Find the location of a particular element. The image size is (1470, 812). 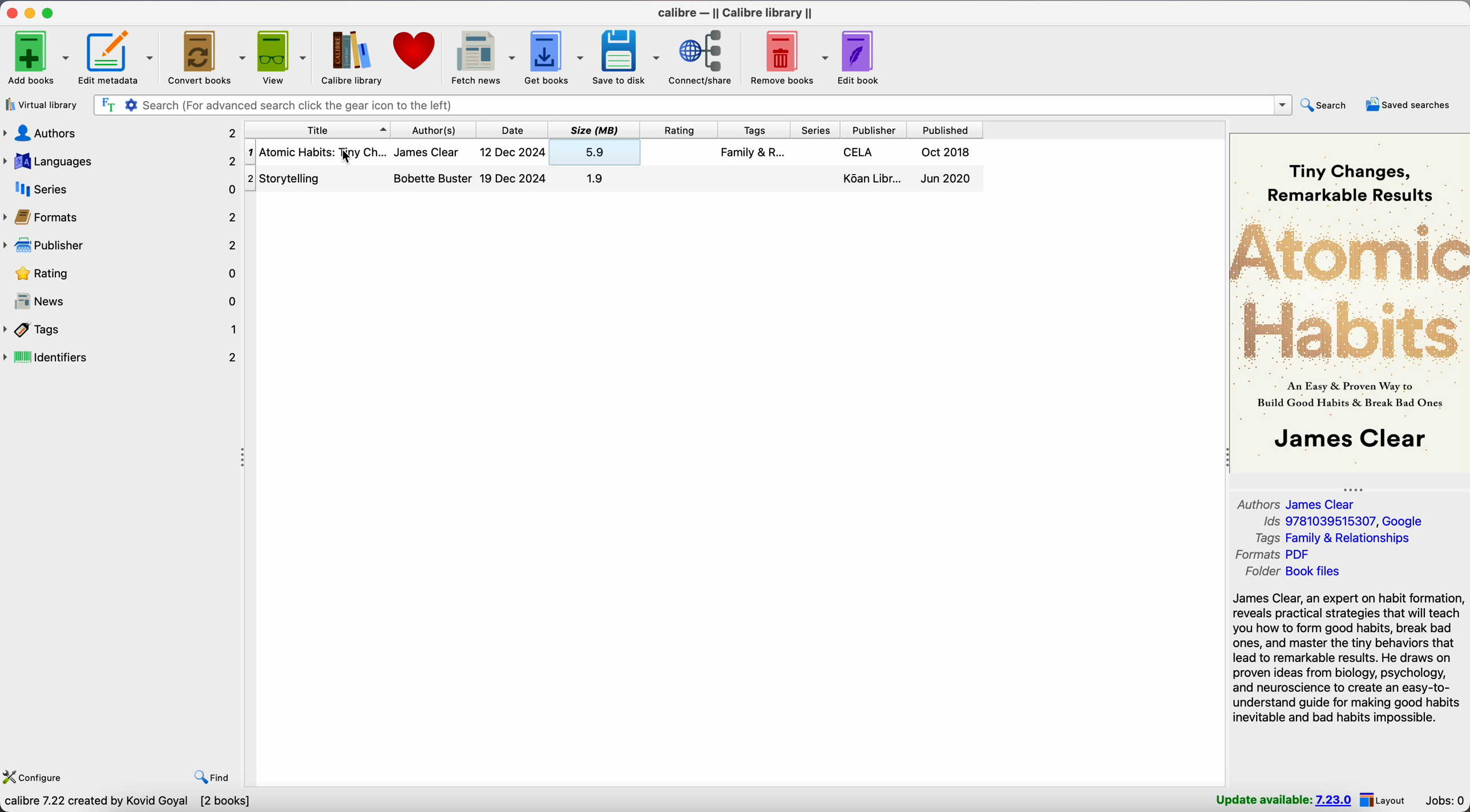

series is located at coordinates (814, 130).